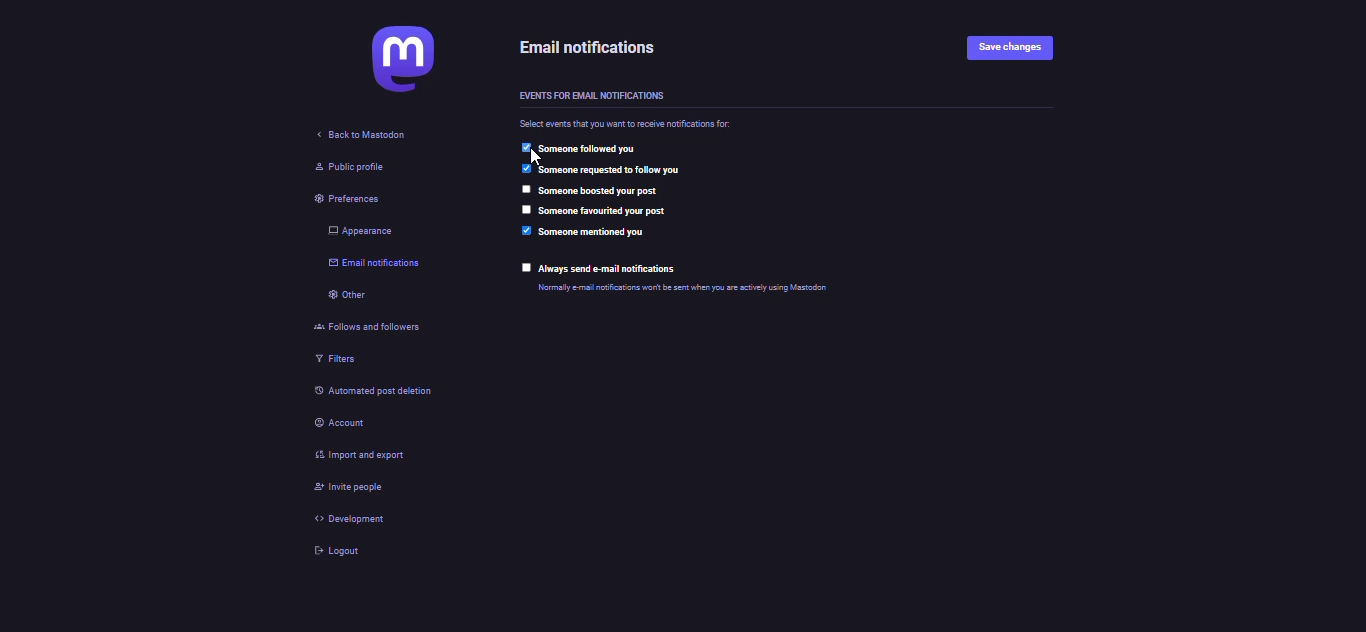 The height and width of the screenshot is (632, 1366). Describe the element at coordinates (353, 231) in the screenshot. I see `appearance` at that location.